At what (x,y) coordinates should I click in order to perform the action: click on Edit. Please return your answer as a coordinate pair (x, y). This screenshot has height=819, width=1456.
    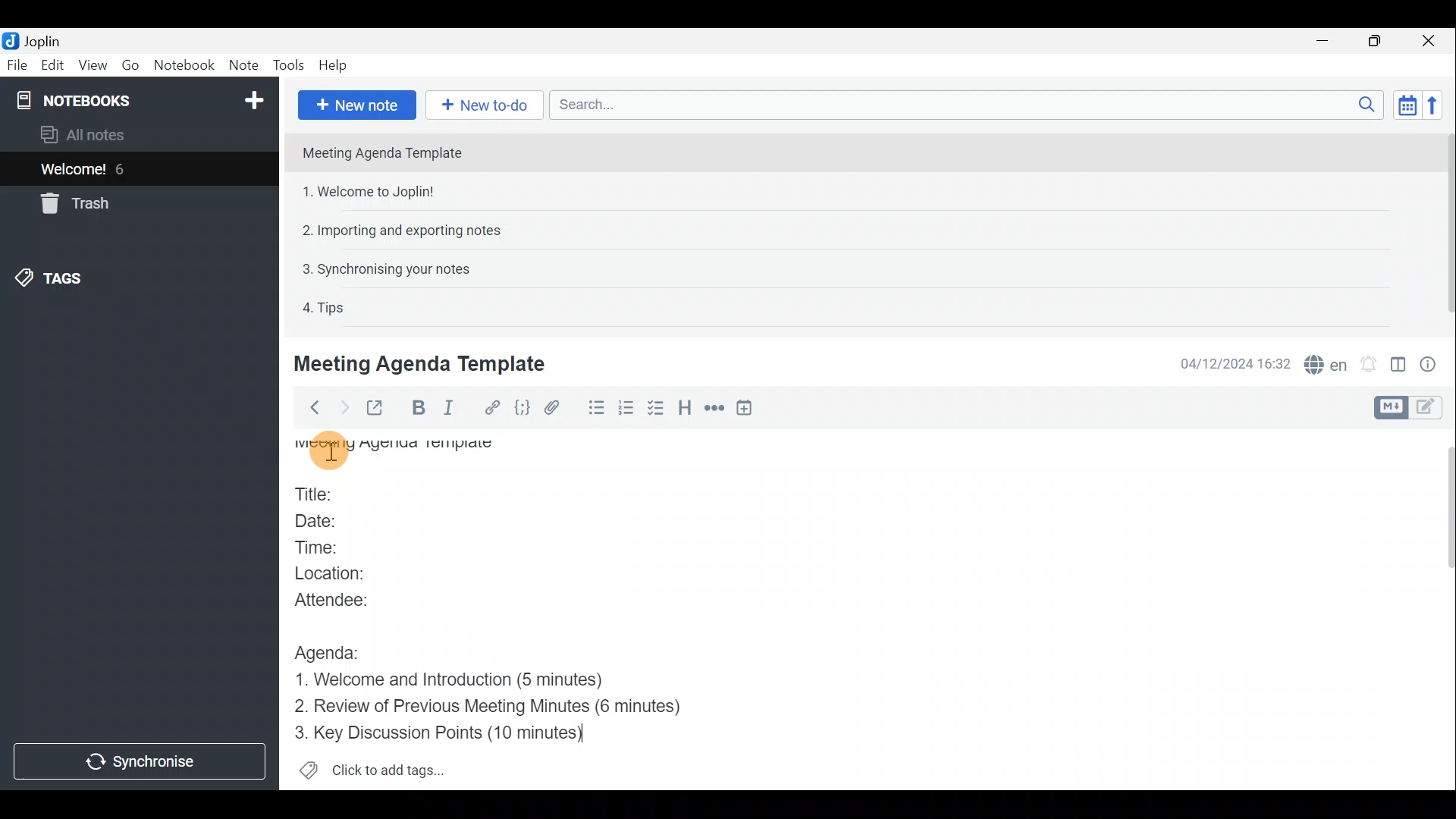
    Looking at the image, I should click on (53, 67).